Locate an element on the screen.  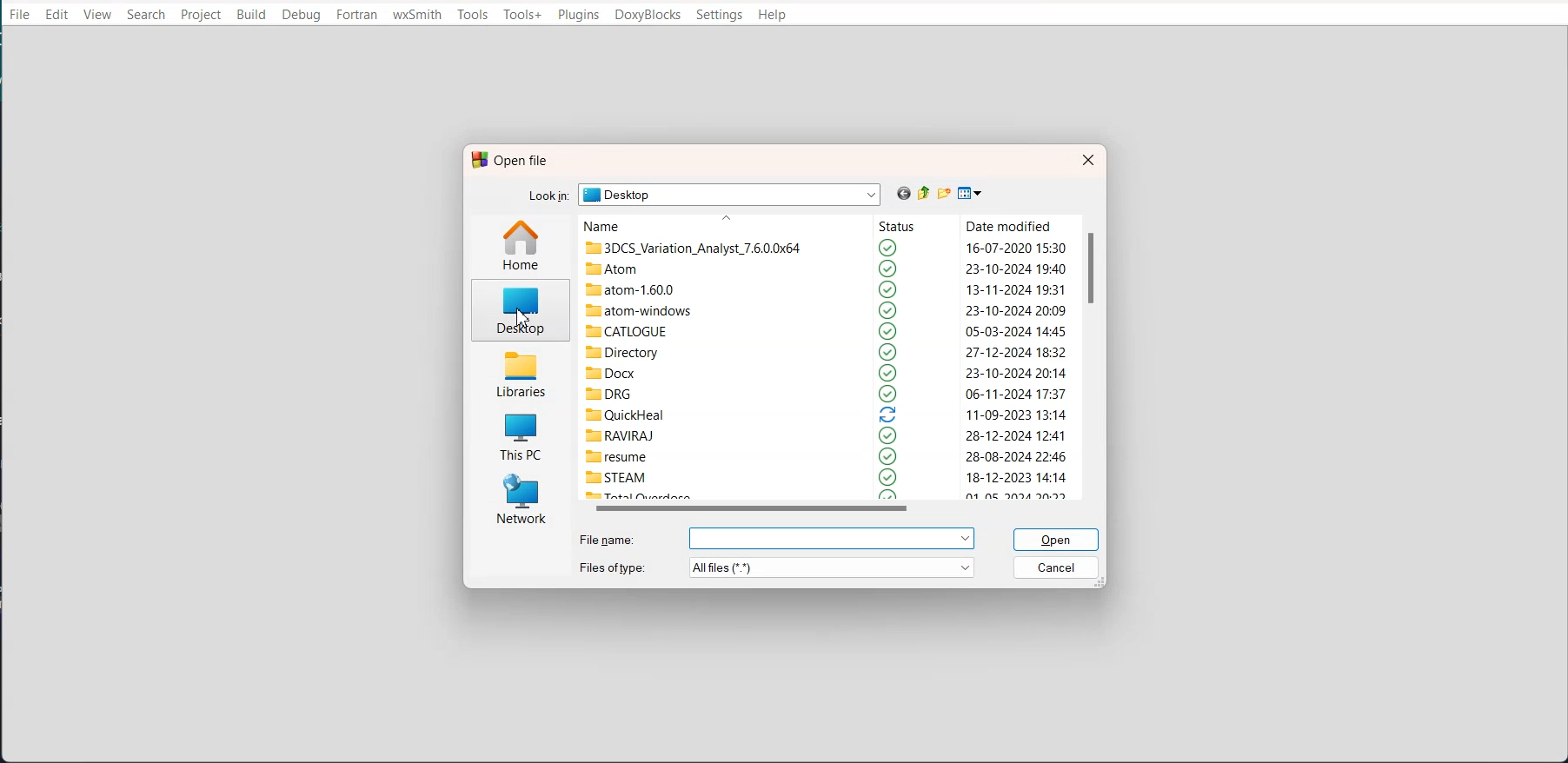
Project is located at coordinates (200, 15).